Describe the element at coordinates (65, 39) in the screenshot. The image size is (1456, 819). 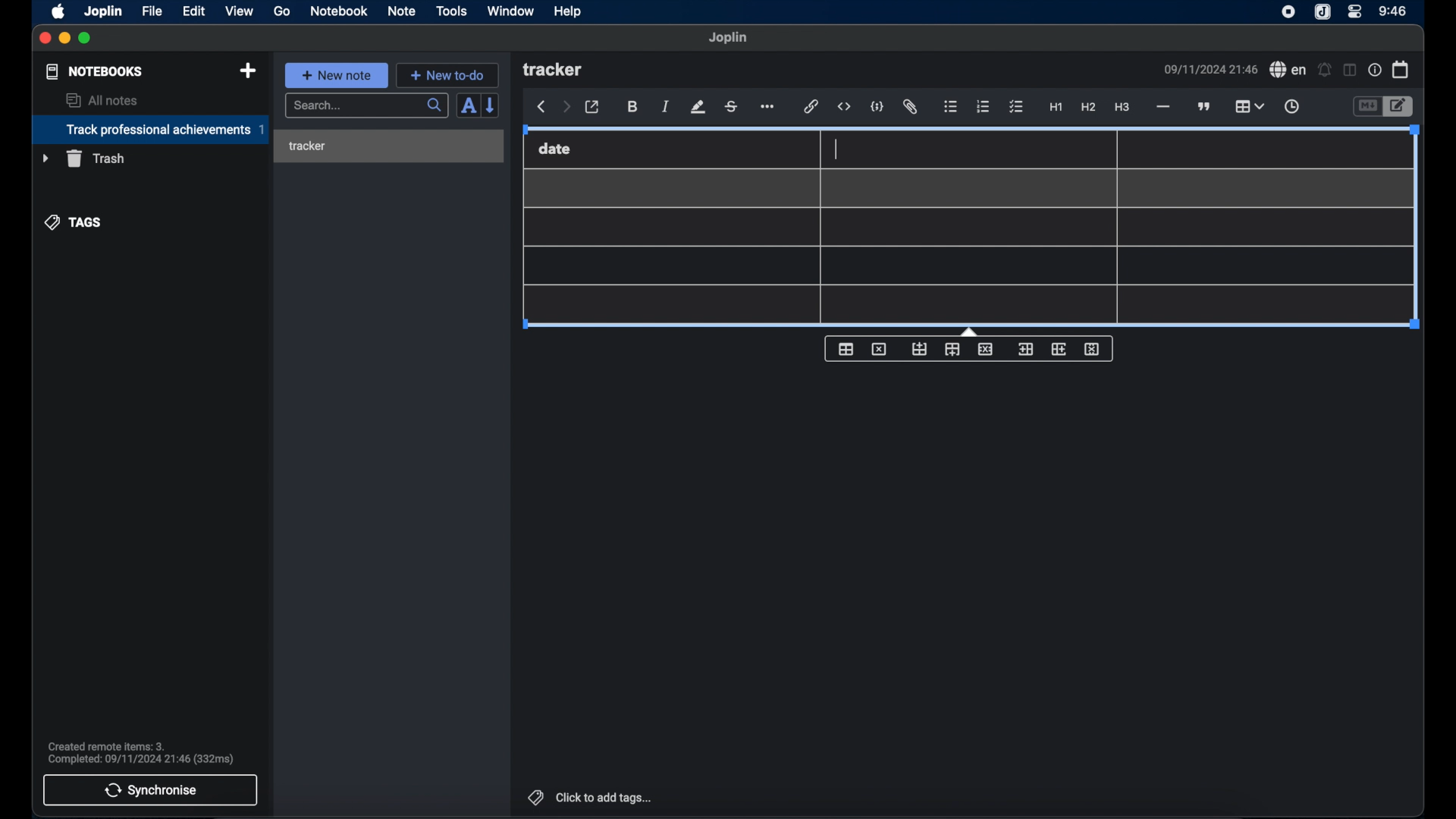
I see `minimize` at that location.